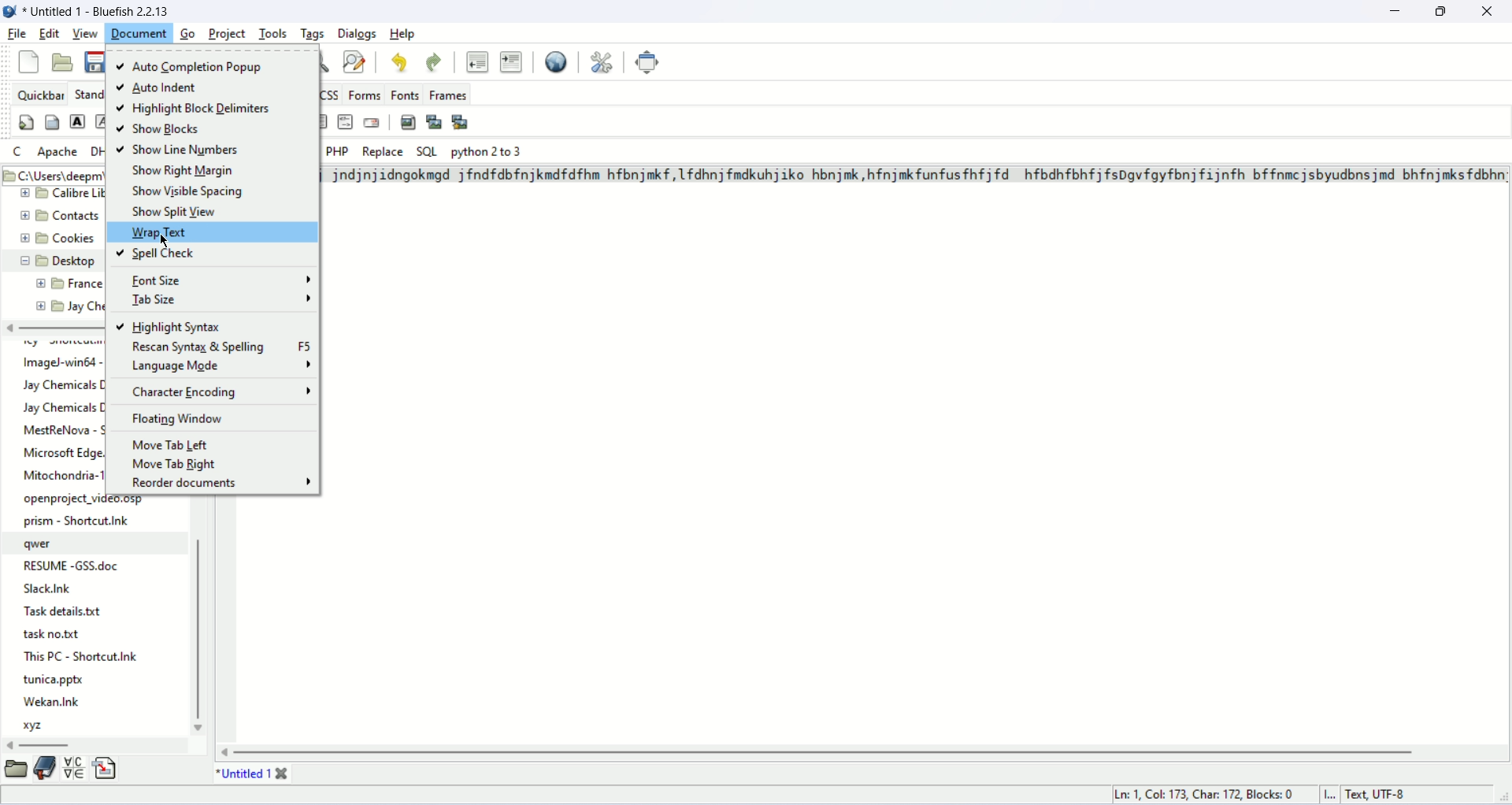 Image resolution: width=1512 pixels, height=805 pixels. I want to click on auto completion popup, so click(193, 65).